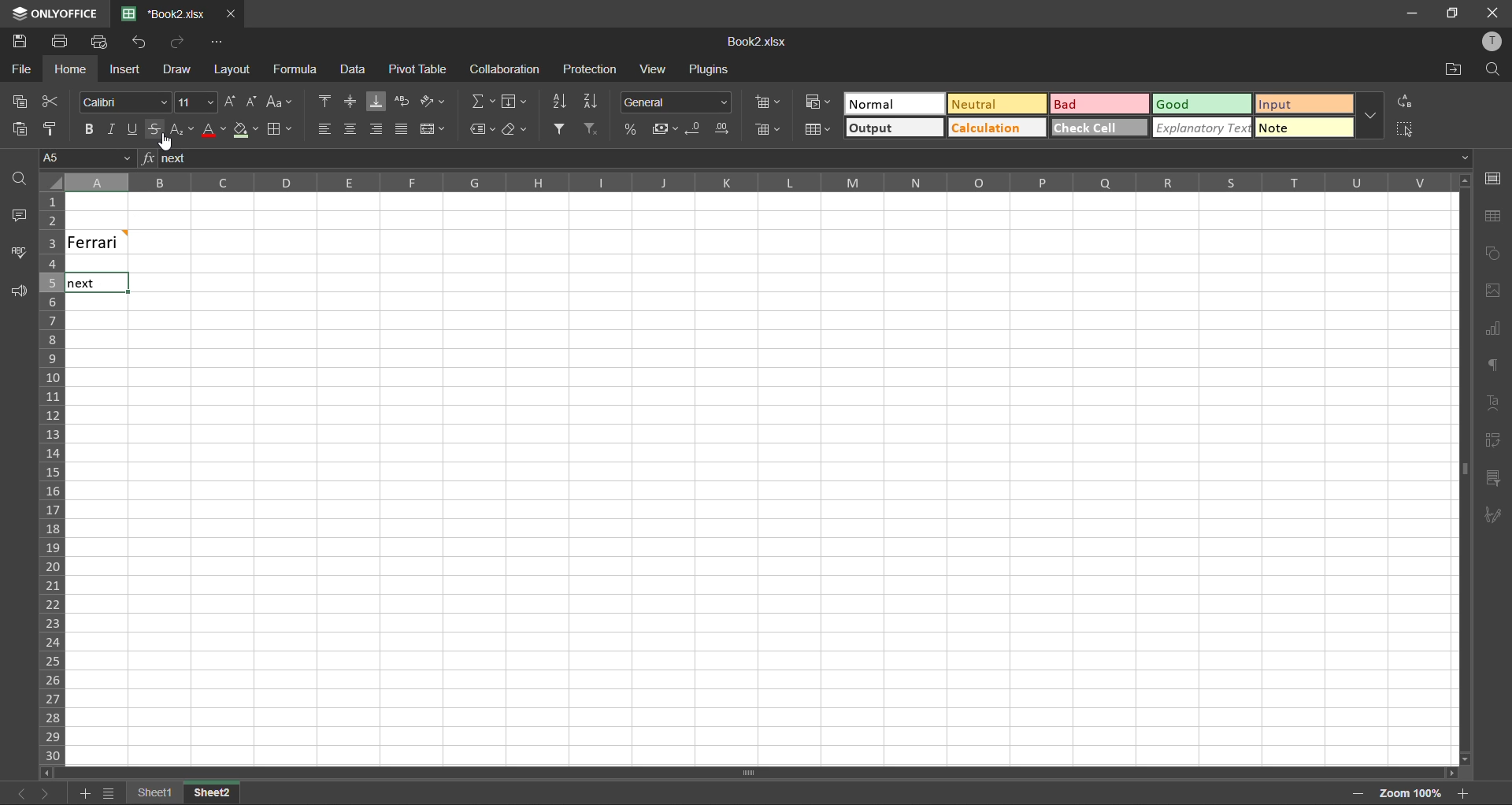 This screenshot has height=805, width=1512. What do you see at coordinates (17, 216) in the screenshot?
I see `comments` at bounding box center [17, 216].